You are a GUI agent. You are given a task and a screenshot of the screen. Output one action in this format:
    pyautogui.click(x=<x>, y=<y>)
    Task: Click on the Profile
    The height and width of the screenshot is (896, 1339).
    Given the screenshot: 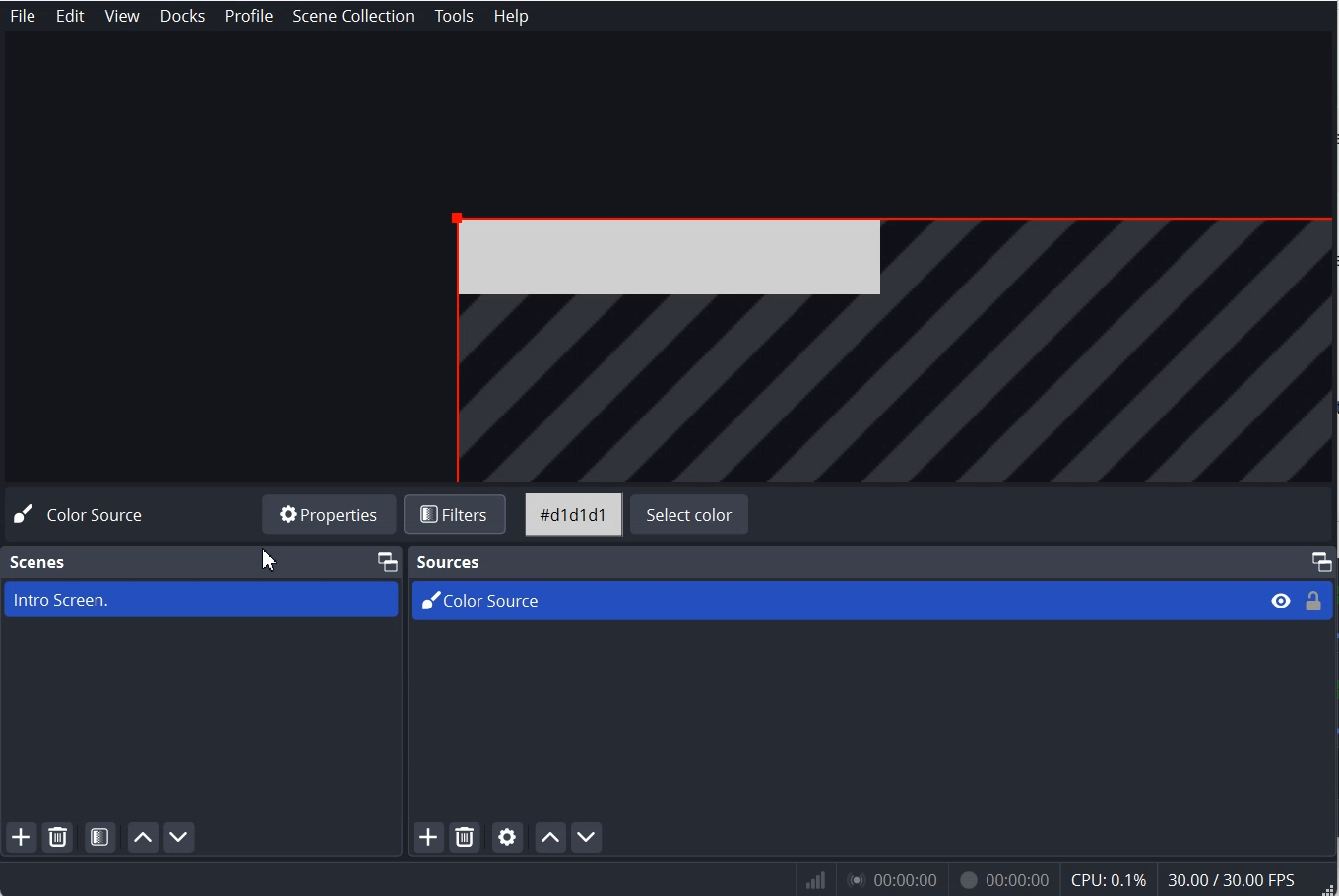 What is the action you would take?
    pyautogui.click(x=248, y=16)
    